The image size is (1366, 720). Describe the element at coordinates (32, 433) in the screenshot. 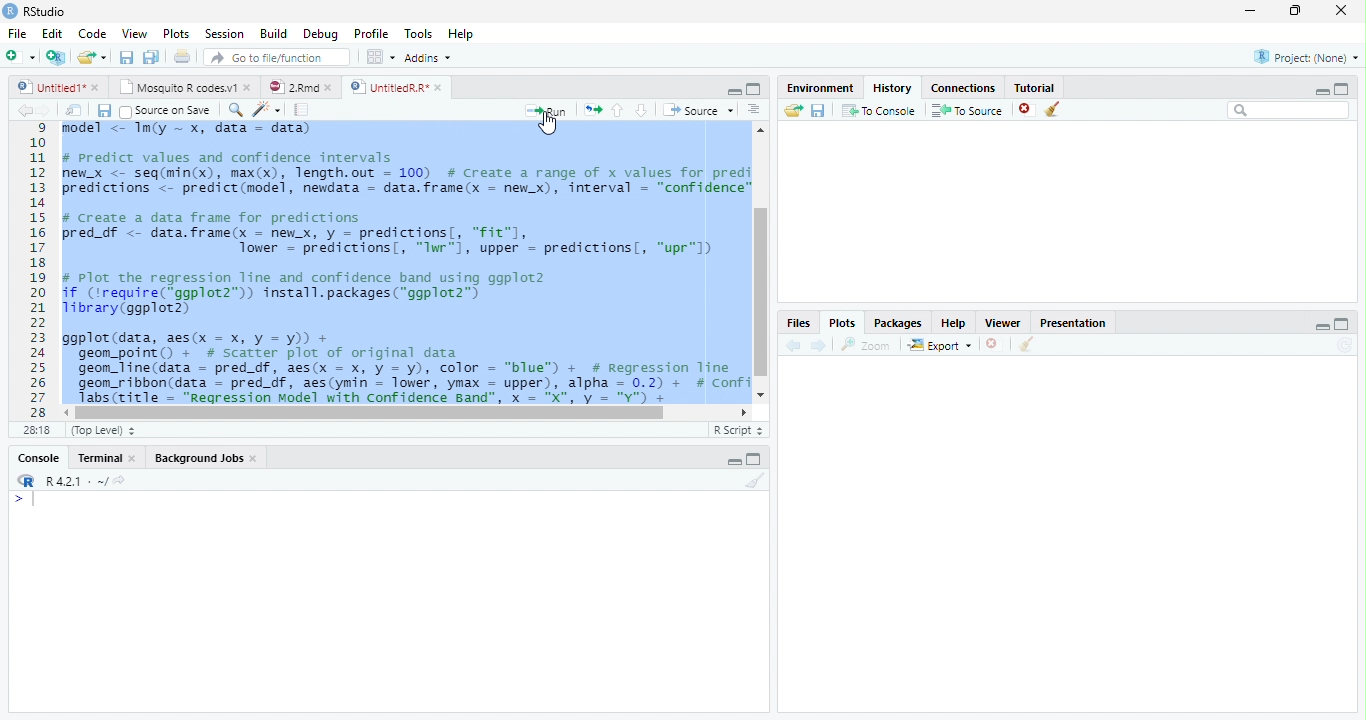

I see `1:1` at that location.